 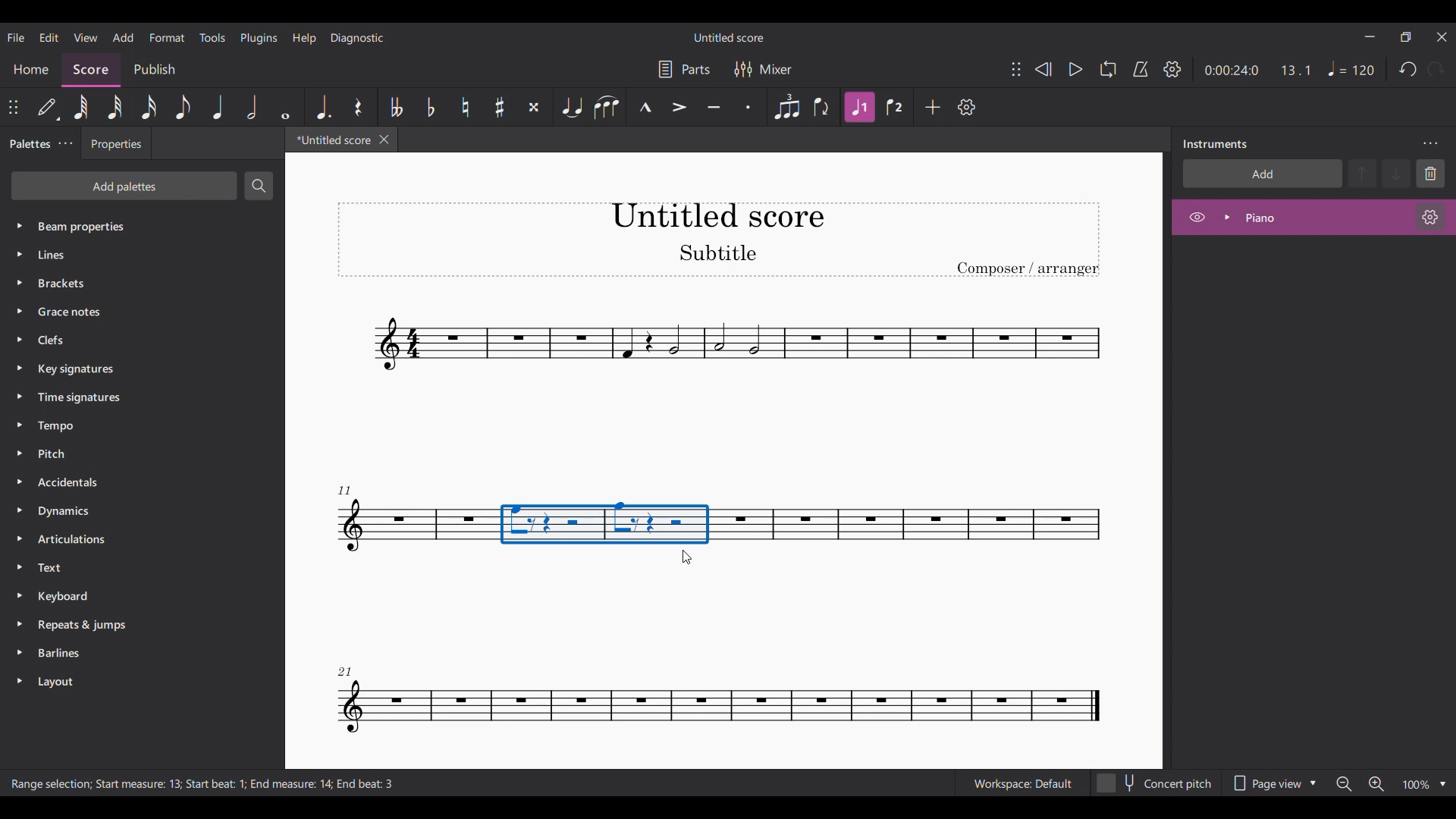 I want to click on Keyboard, so click(x=130, y=595).